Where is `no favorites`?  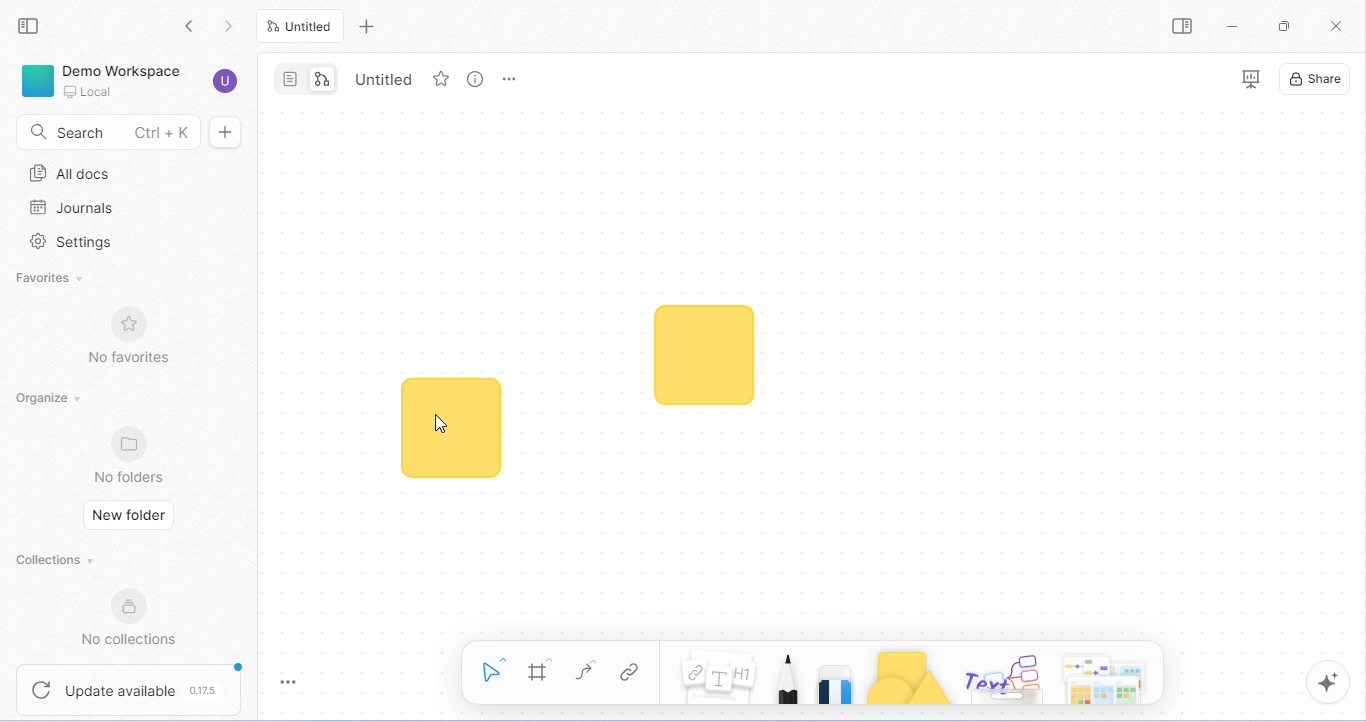 no favorites is located at coordinates (128, 338).